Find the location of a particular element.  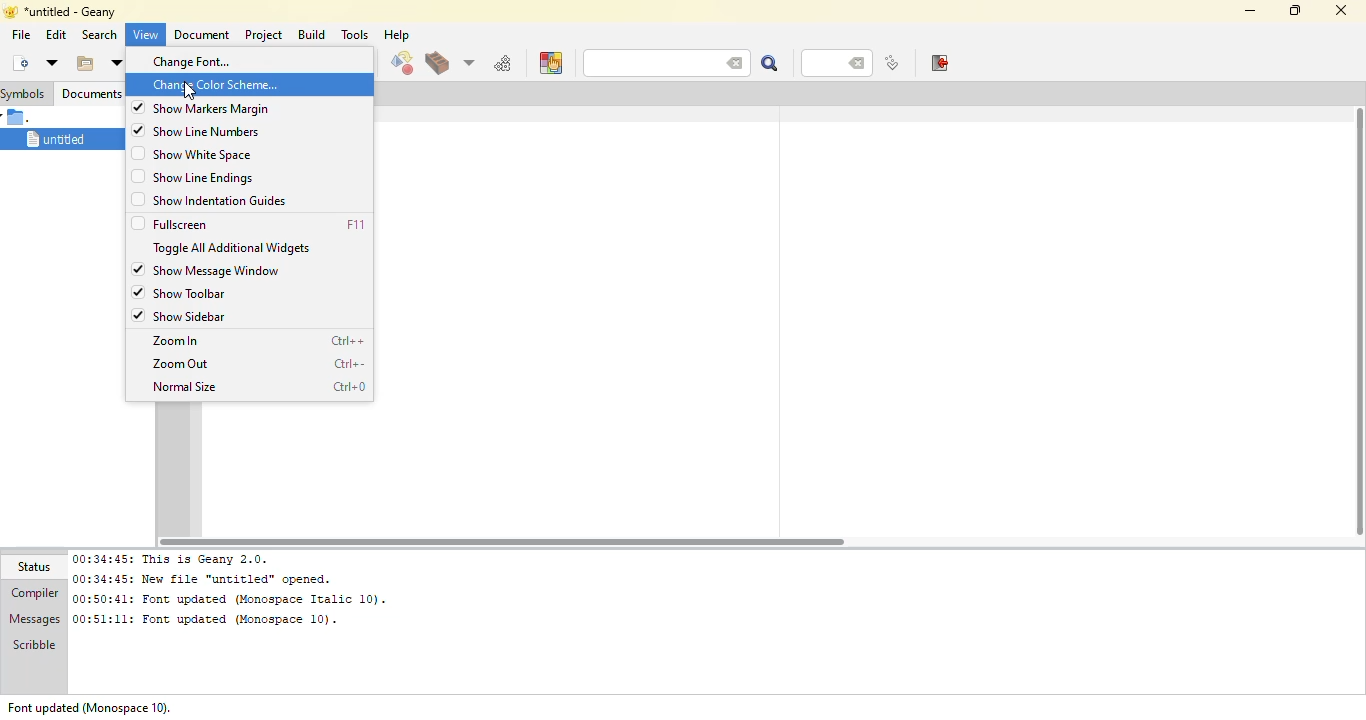

change font is located at coordinates (202, 61).